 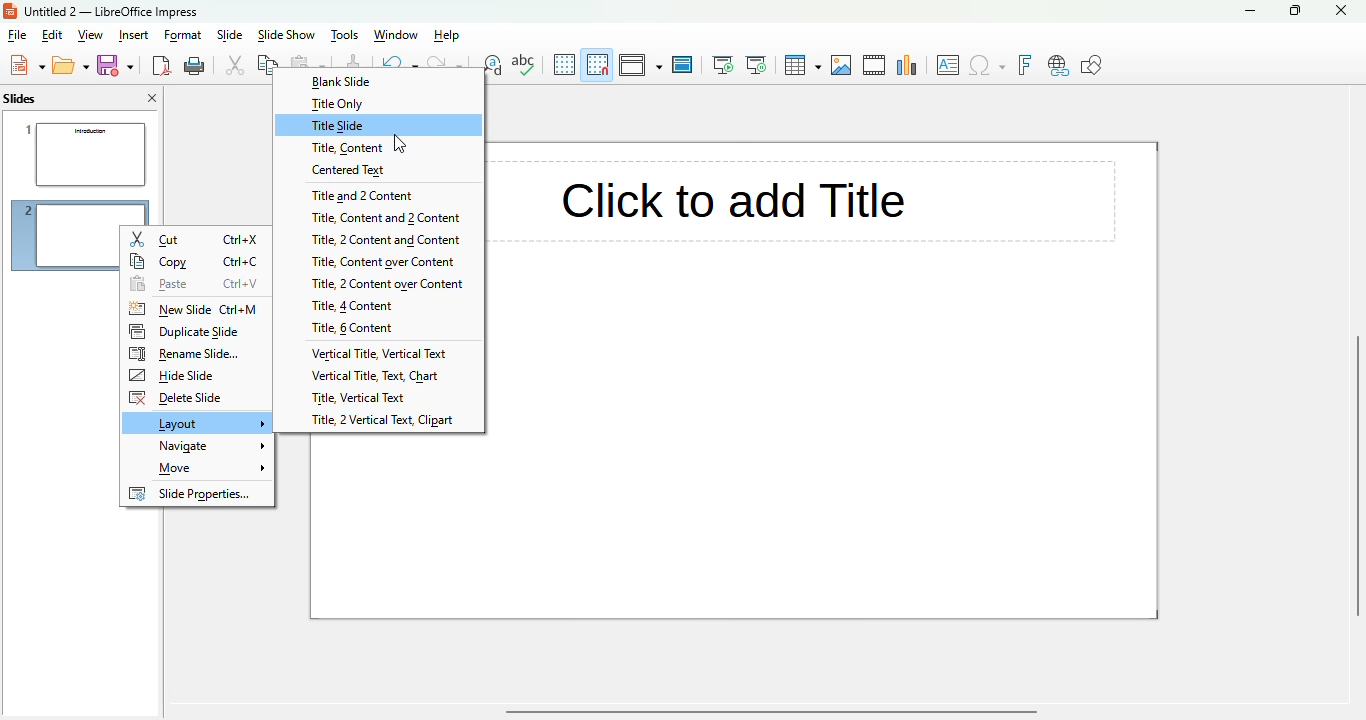 I want to click on edit, so click(x=52, y=35).